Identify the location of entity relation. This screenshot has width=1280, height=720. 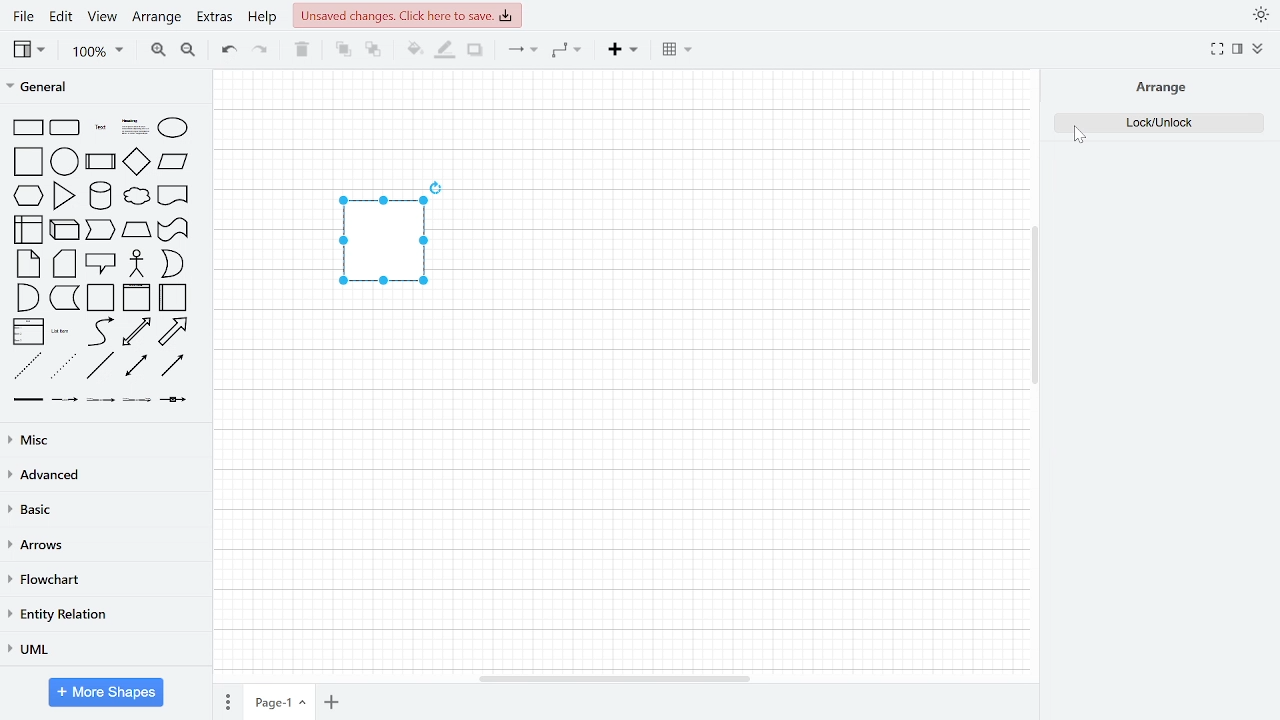
(99, 617).